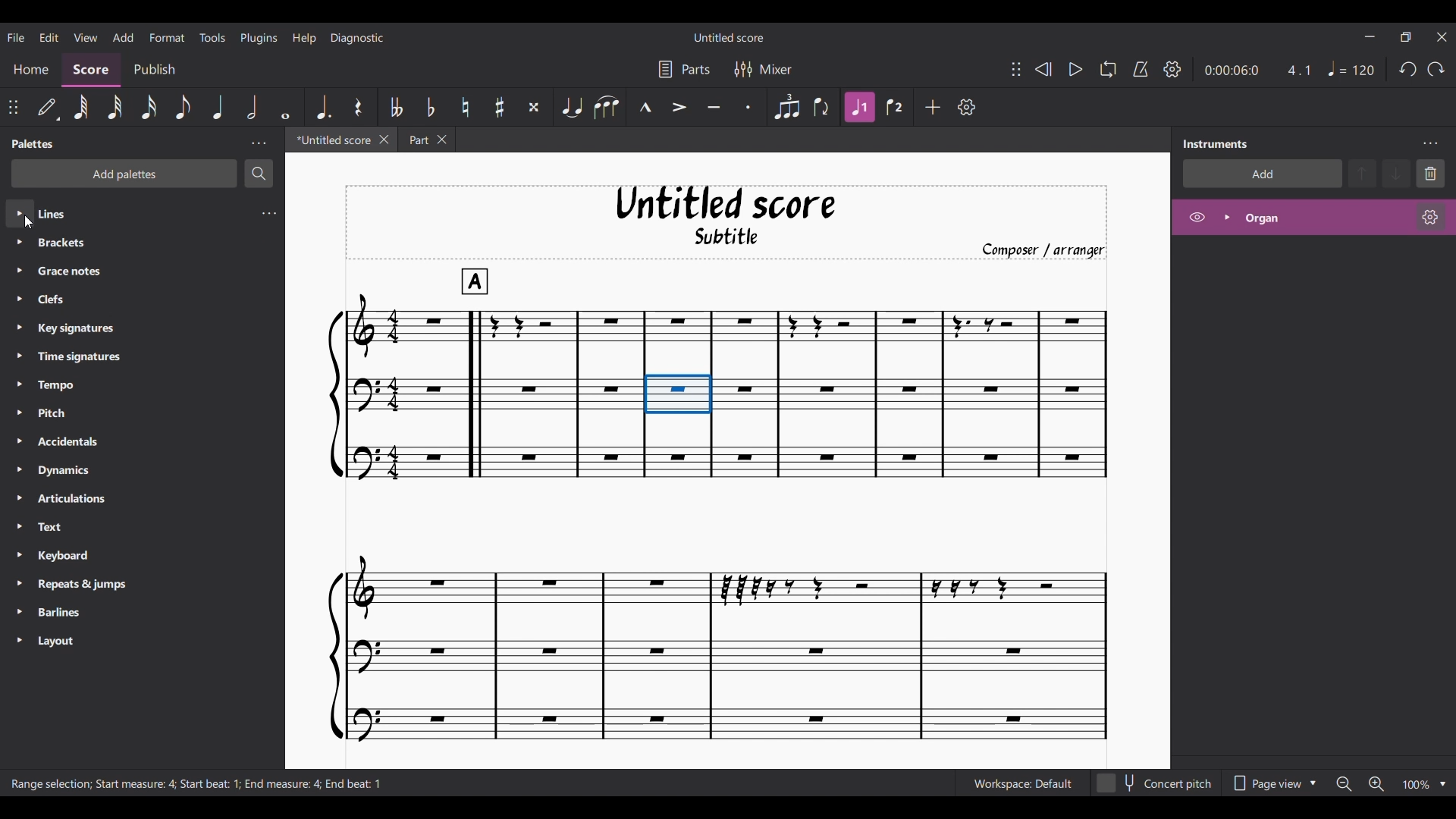 This screenshot has height=819, width=1456. Describe the element at coordinates (645, 107) in the screenshot. I see `Marcato` at that location.